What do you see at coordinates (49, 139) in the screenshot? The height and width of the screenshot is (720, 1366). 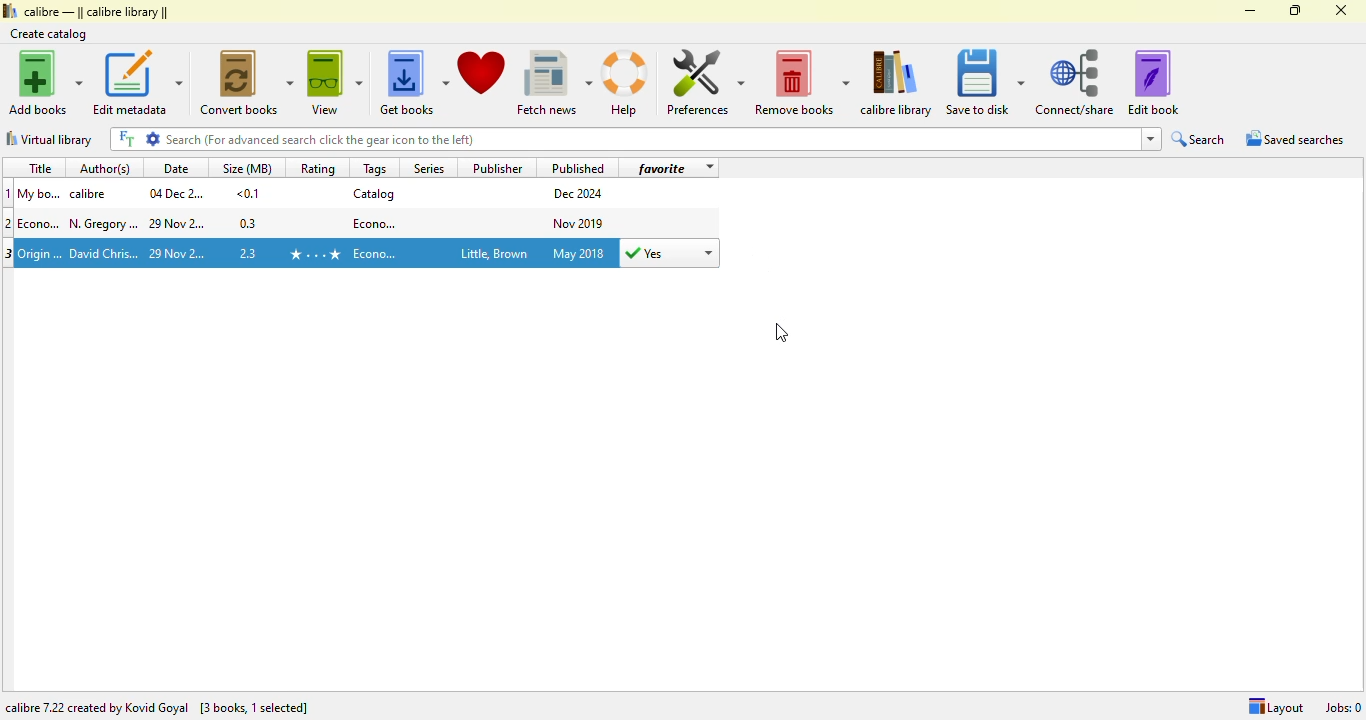 I see `virtual library` at bounding box center [49, 139].